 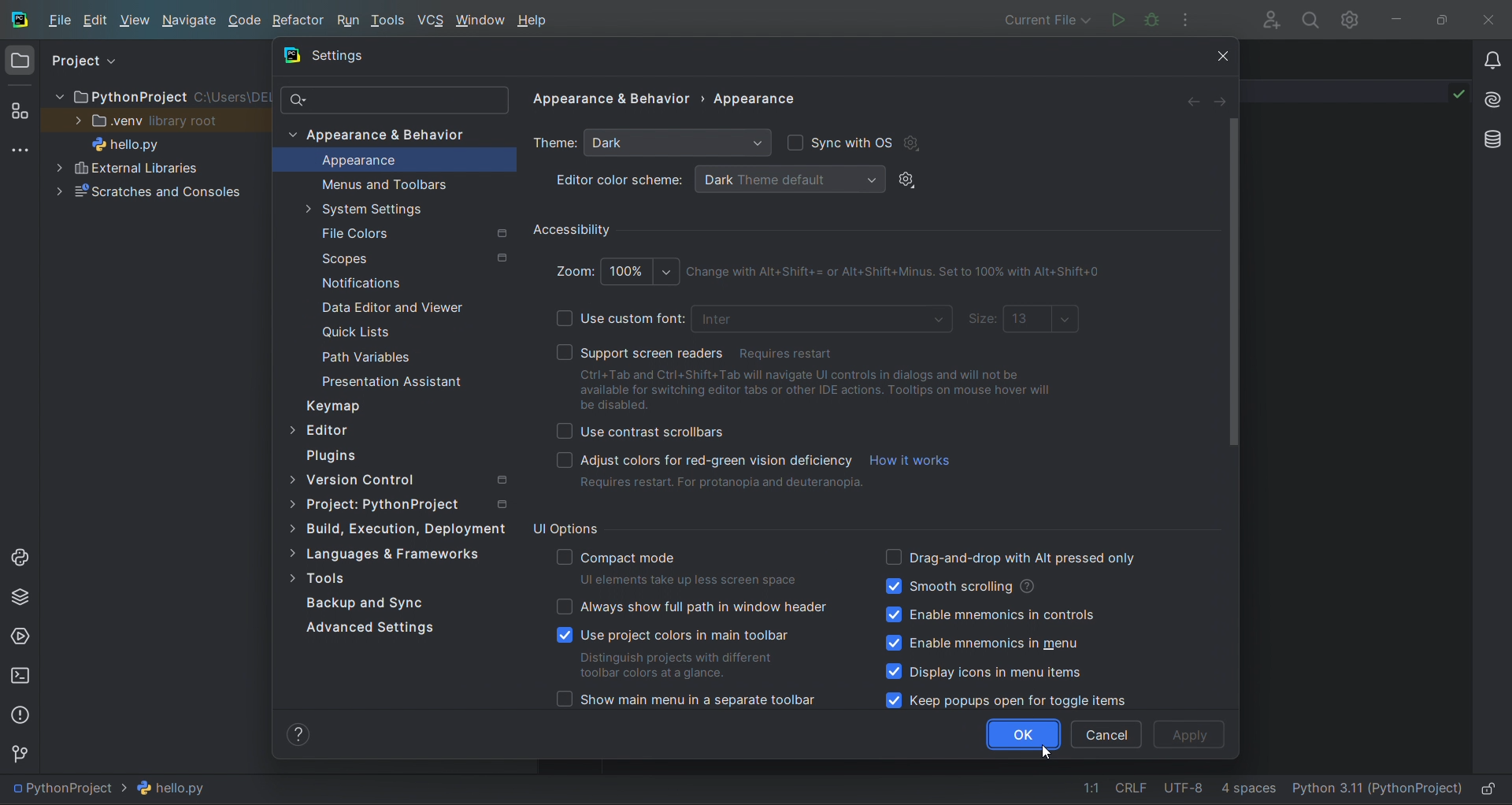 I want to click on logo, so click(x=15, y=19).